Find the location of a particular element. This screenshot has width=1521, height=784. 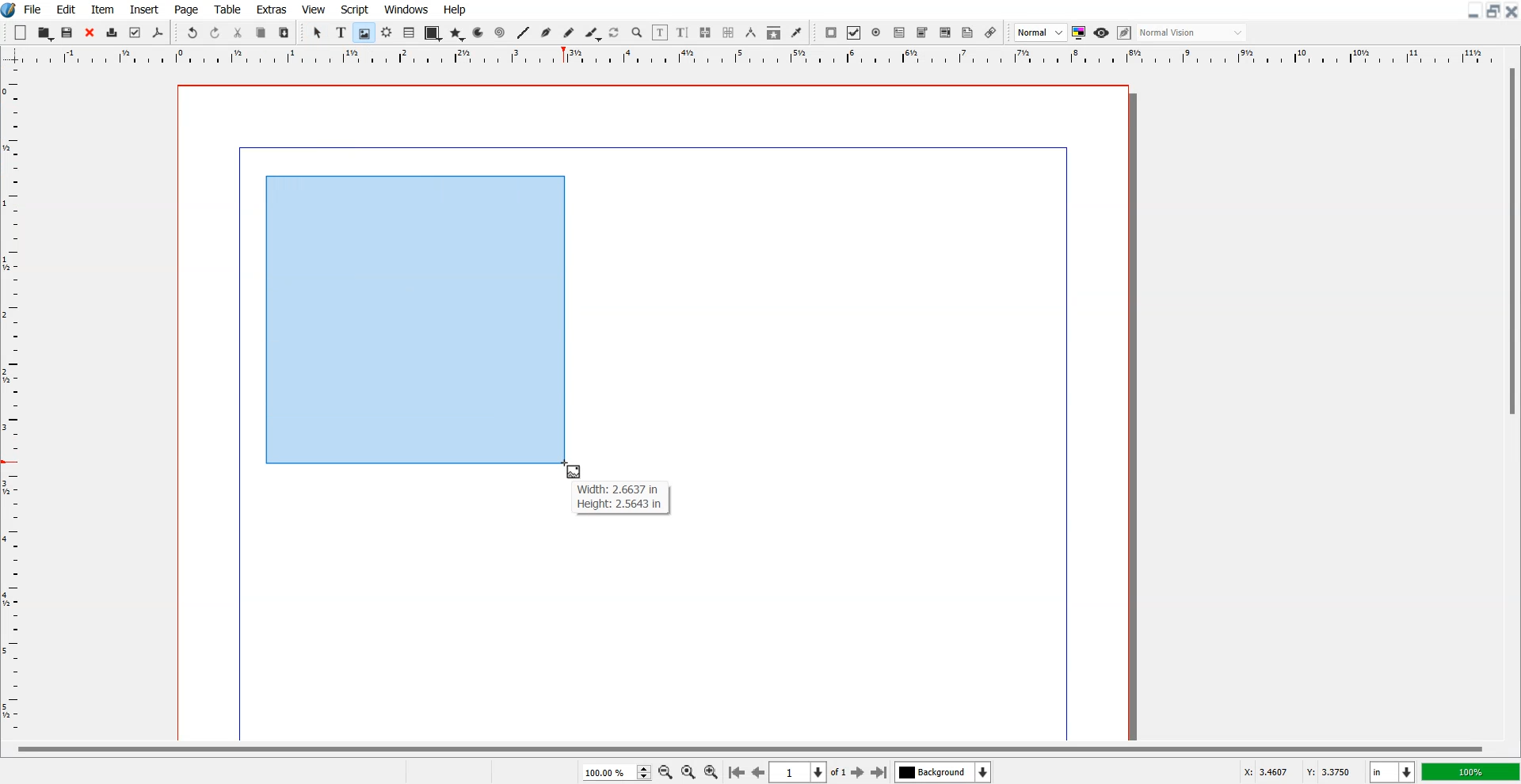

PDF List Box is located at coordinates (946, 32).